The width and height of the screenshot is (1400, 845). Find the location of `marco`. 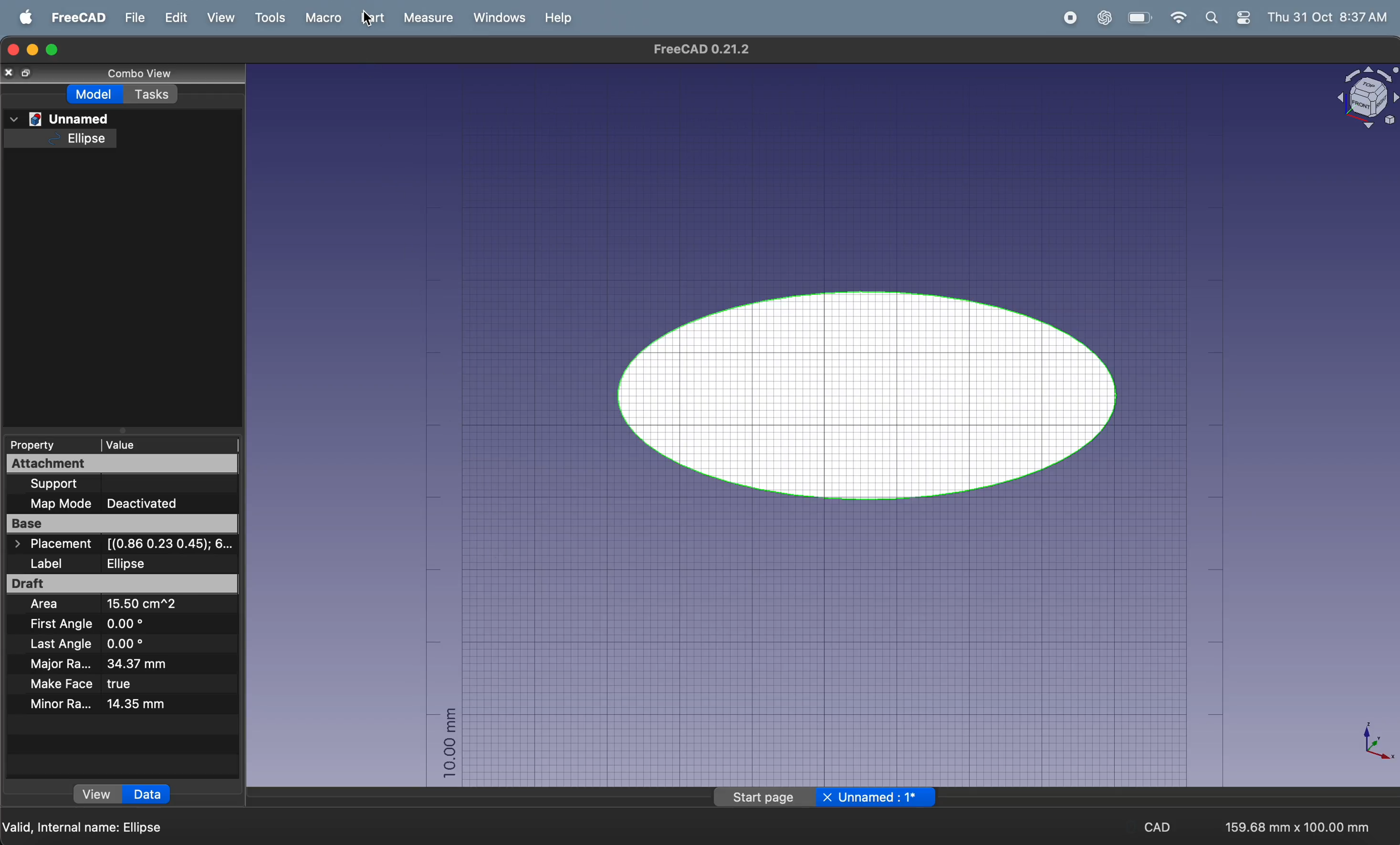

marco is located at coordinates (322, 18).